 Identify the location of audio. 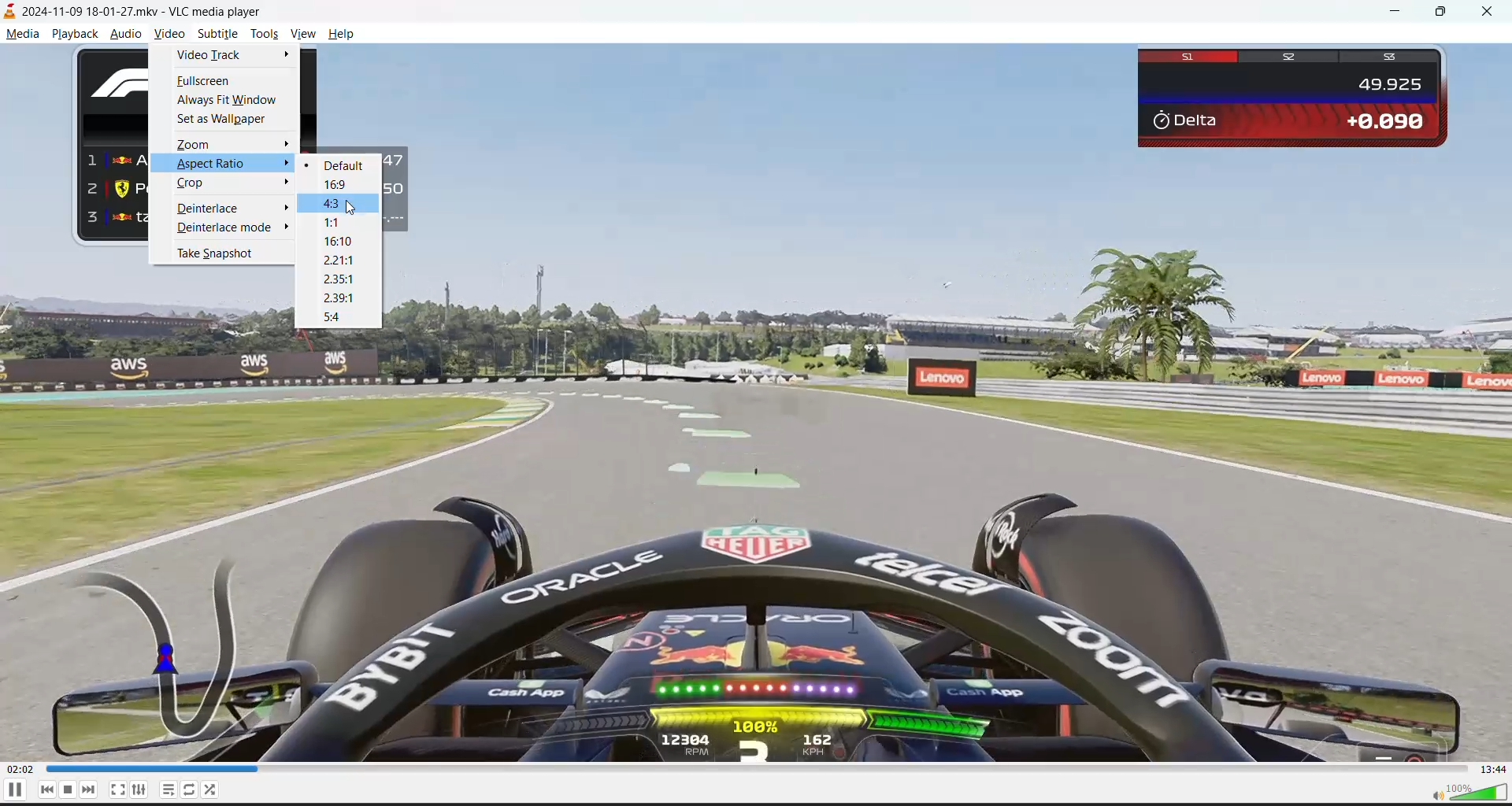
(124, 34).